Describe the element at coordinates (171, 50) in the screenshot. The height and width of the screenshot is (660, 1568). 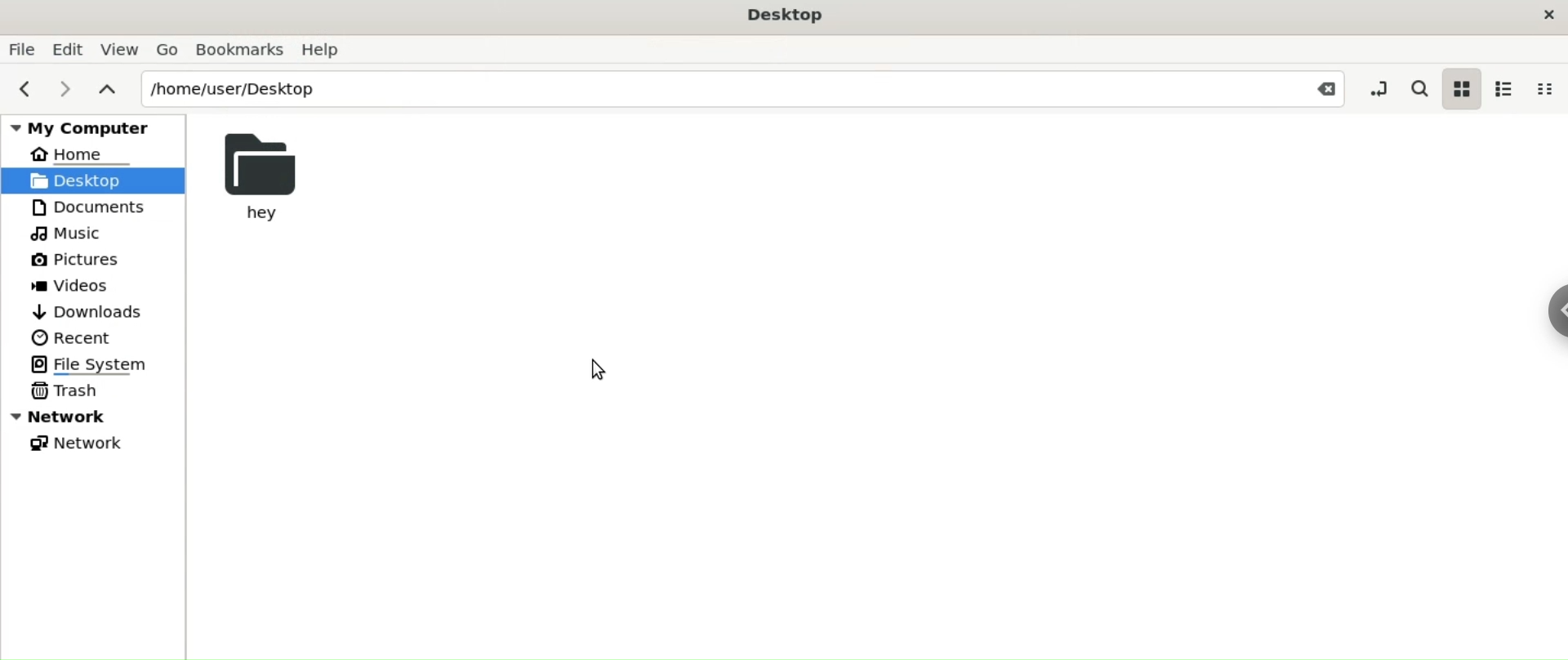
I see `Go` at that location.